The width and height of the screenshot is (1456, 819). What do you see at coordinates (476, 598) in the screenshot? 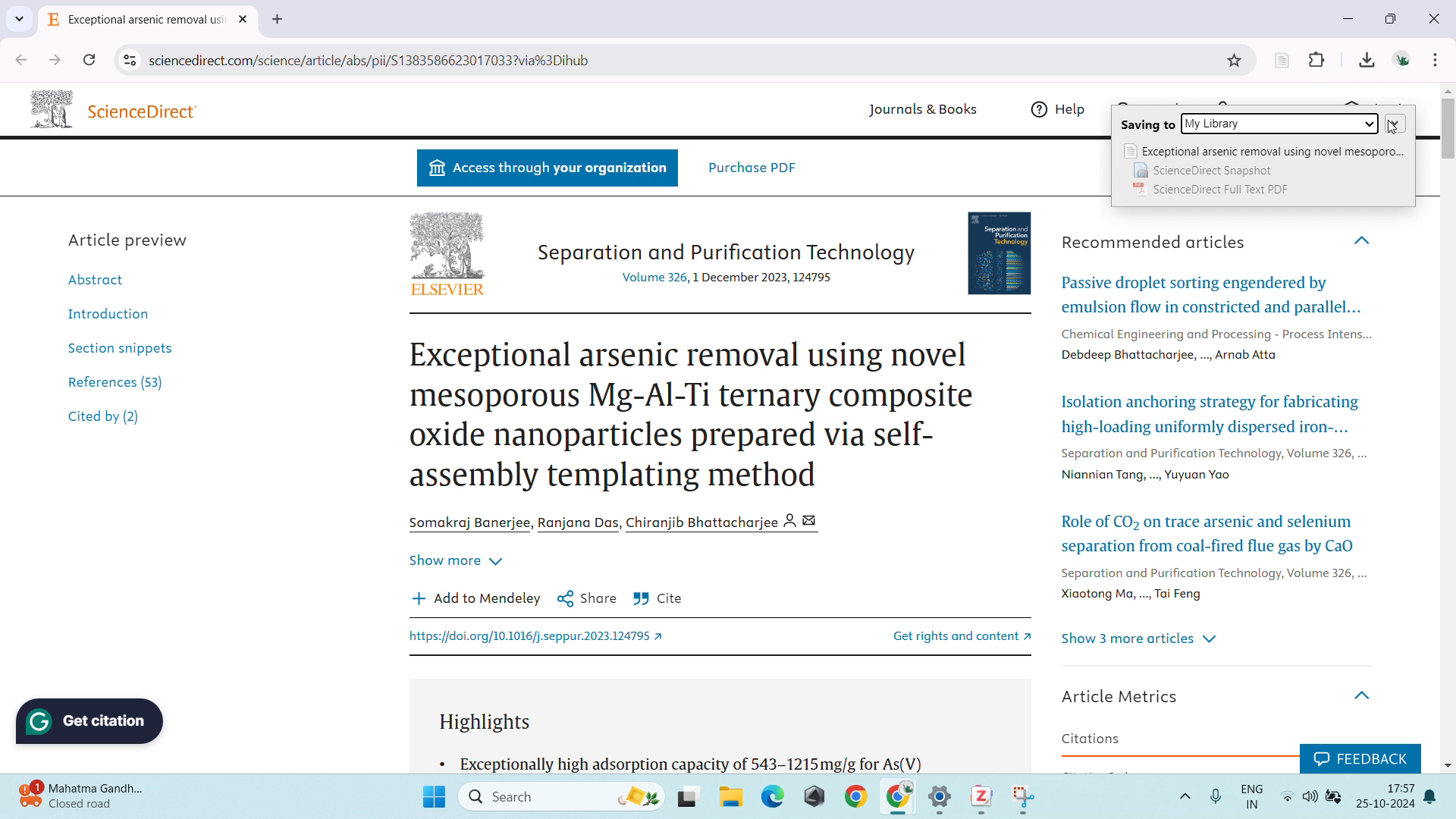
I see `Add to Mendeley` at bounding box center [476, 598].